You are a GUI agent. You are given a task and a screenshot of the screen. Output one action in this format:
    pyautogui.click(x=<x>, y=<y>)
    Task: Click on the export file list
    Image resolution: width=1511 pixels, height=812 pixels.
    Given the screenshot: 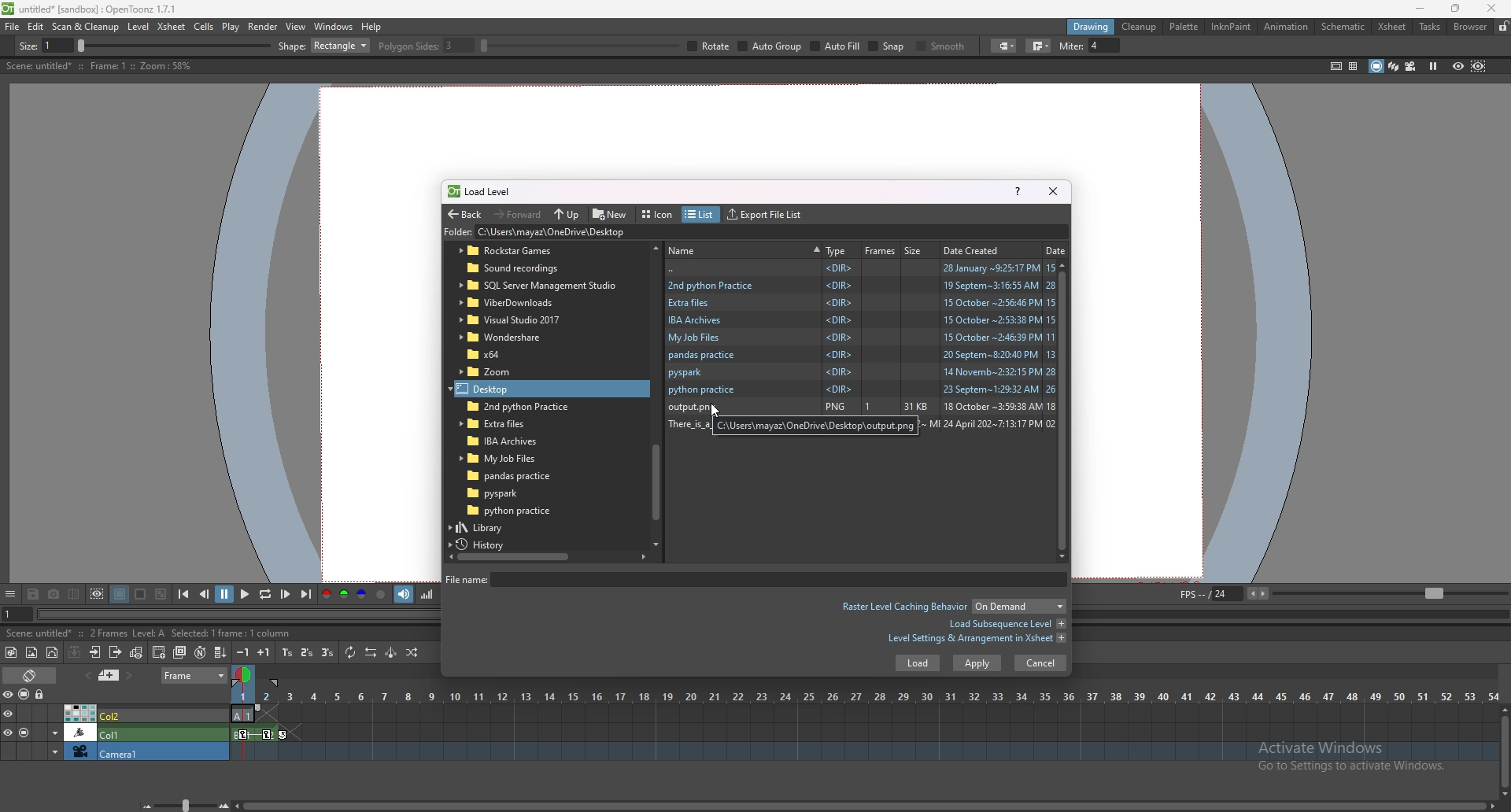 What is the action you would take?
    pyautogui.click(x=764, y=215)
    